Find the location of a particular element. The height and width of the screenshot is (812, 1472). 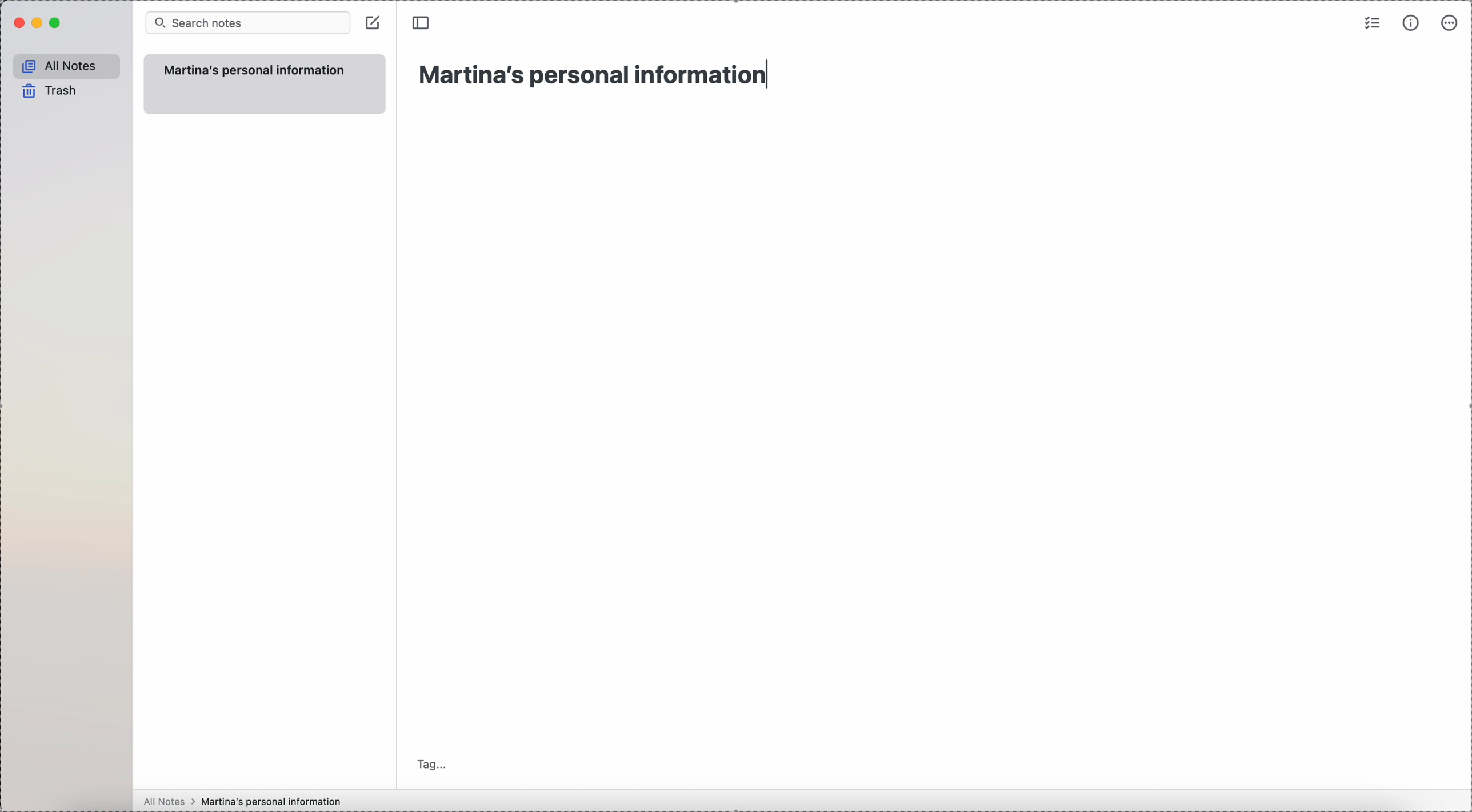

metrics is located at coordinates (1413, 23).